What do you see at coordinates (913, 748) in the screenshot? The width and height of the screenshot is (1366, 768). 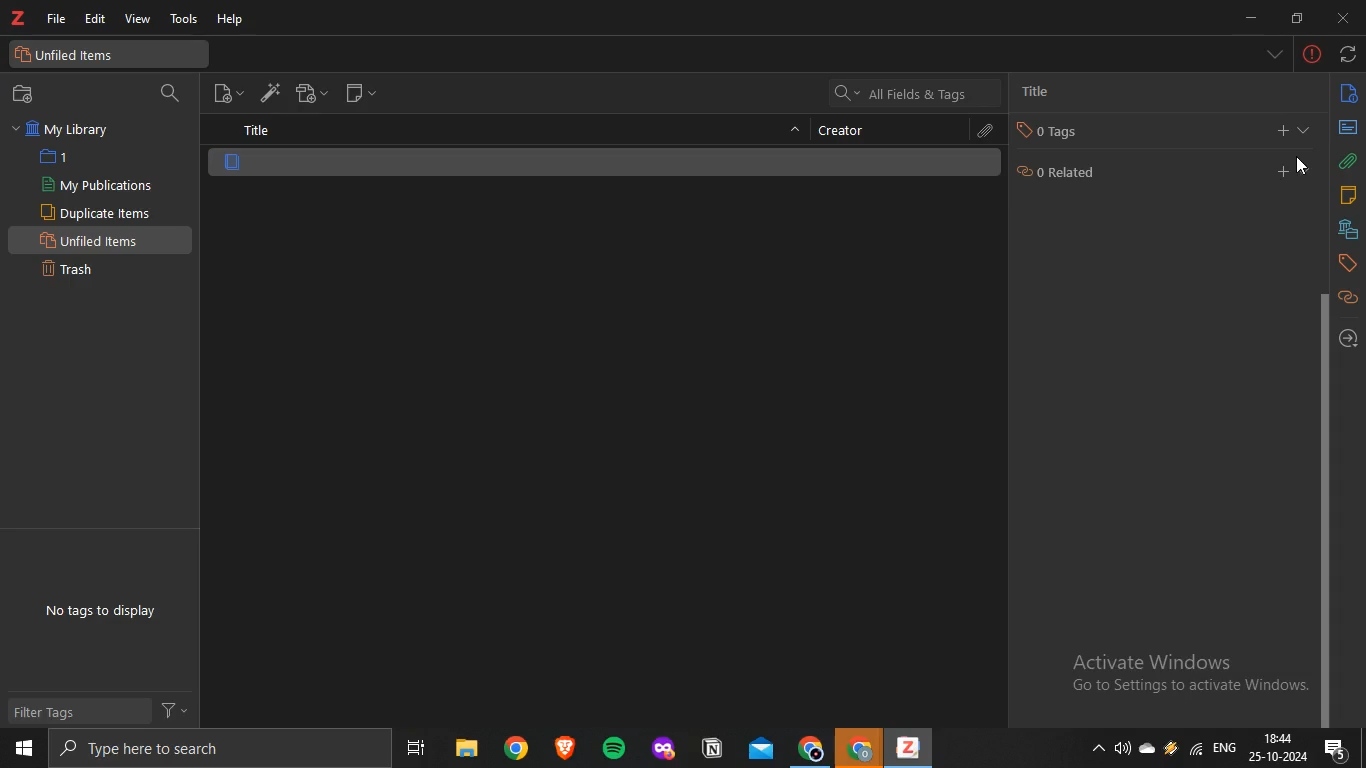 I see `app` at bounding box center [913, 748].